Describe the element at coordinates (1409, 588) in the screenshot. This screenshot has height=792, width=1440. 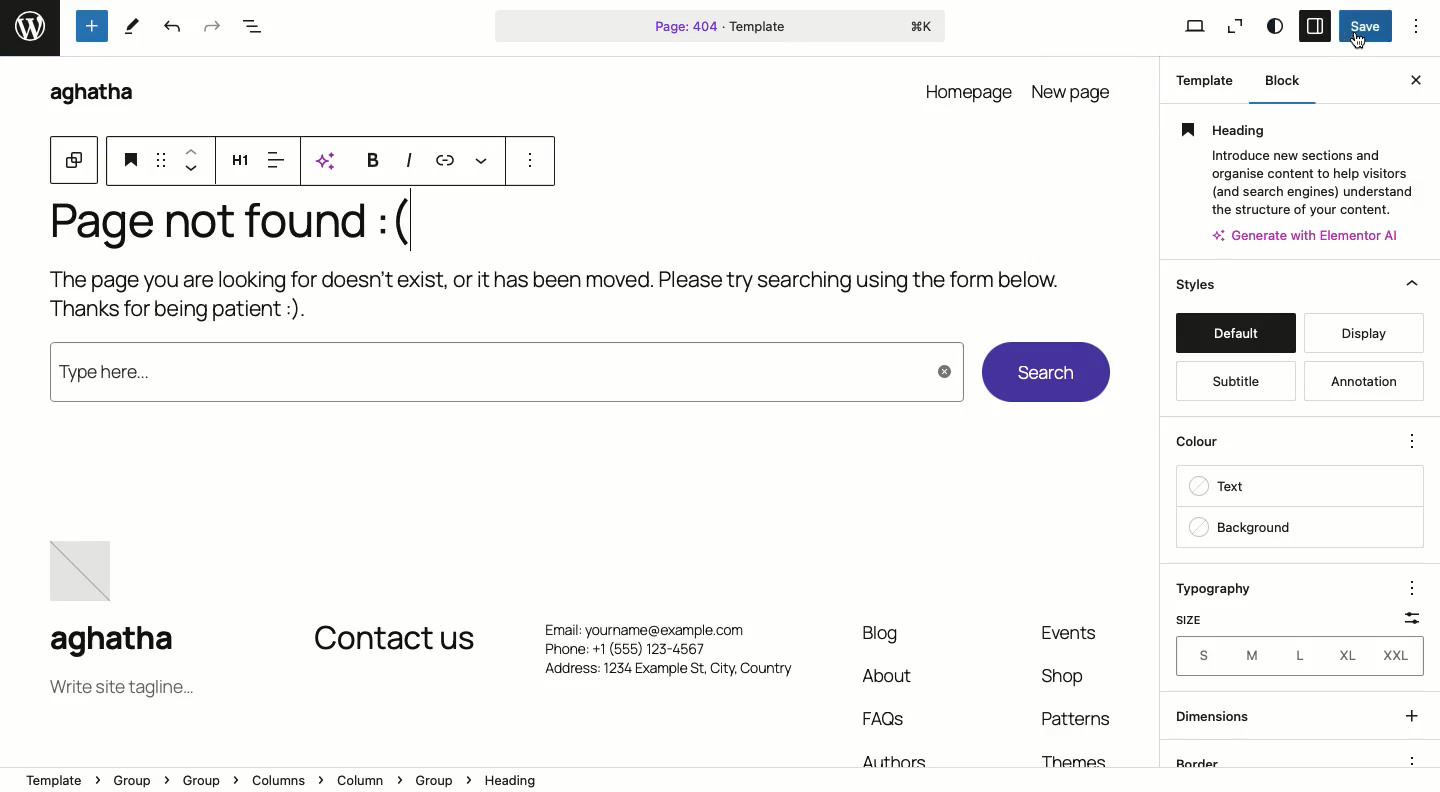
I see `options` at that location.